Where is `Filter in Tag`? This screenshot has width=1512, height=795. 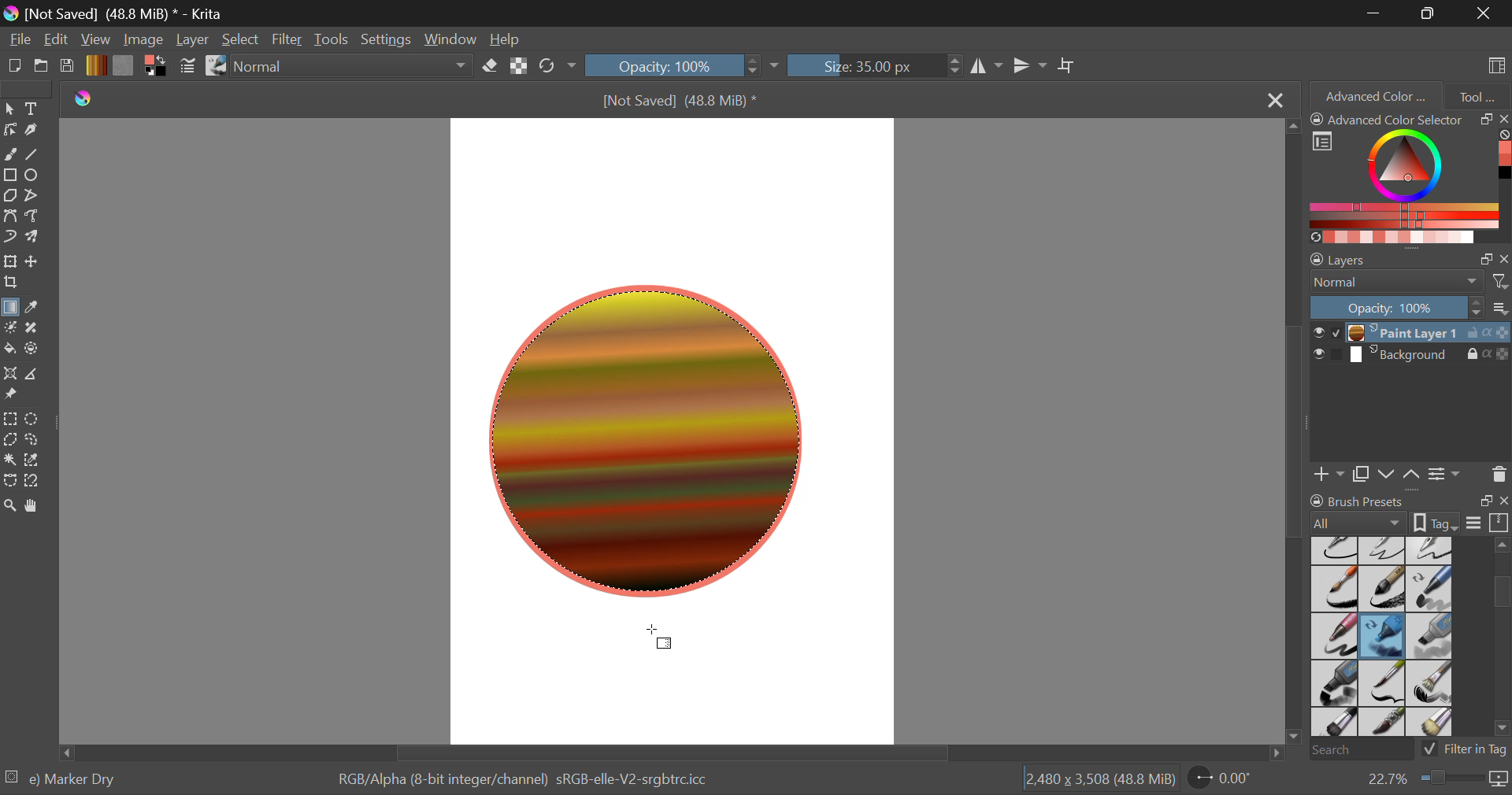
Filter in Tag is located at coordinates (1466, 748).